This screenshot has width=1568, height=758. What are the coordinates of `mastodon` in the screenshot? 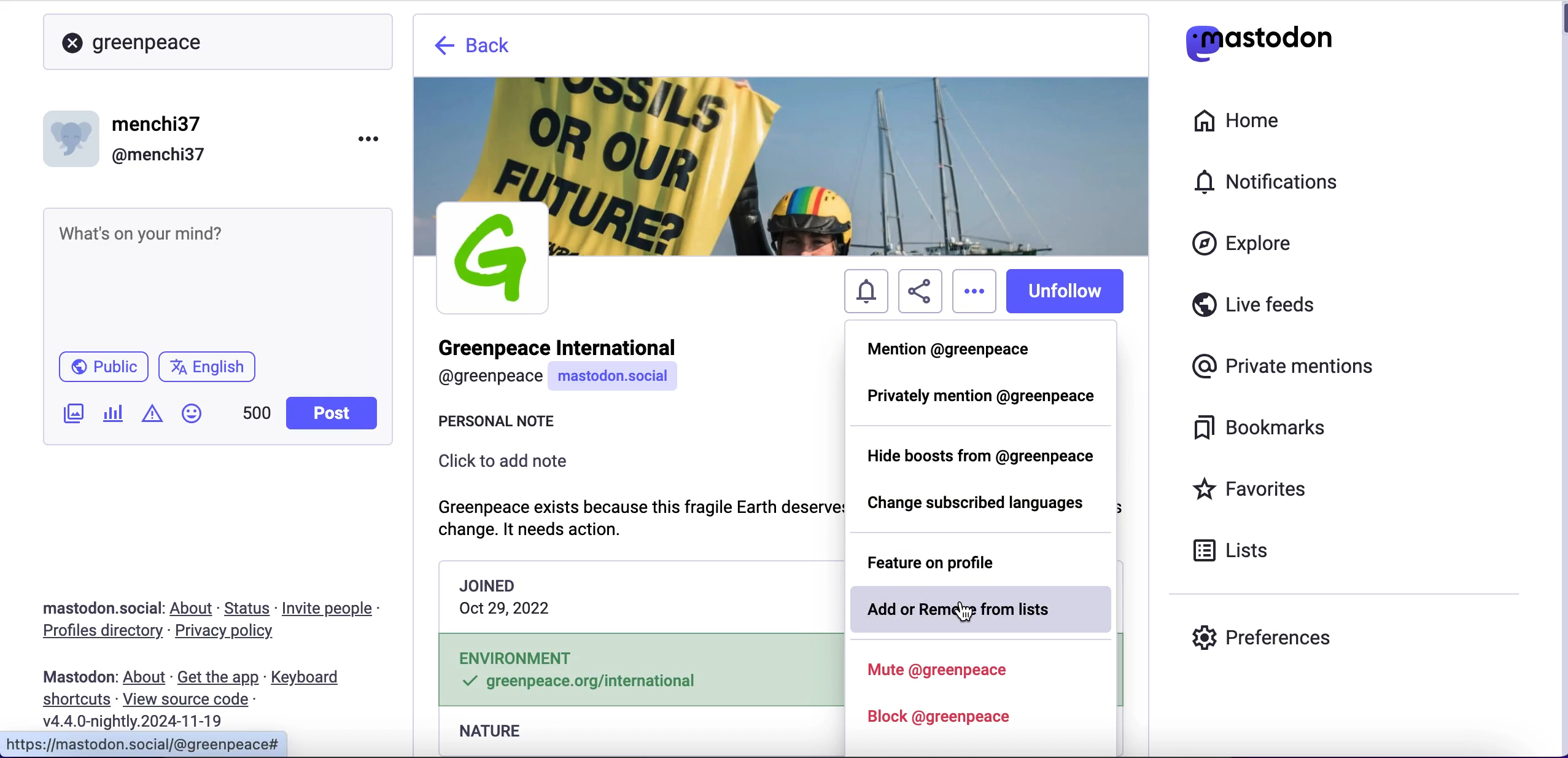 It's located at (79, 677).